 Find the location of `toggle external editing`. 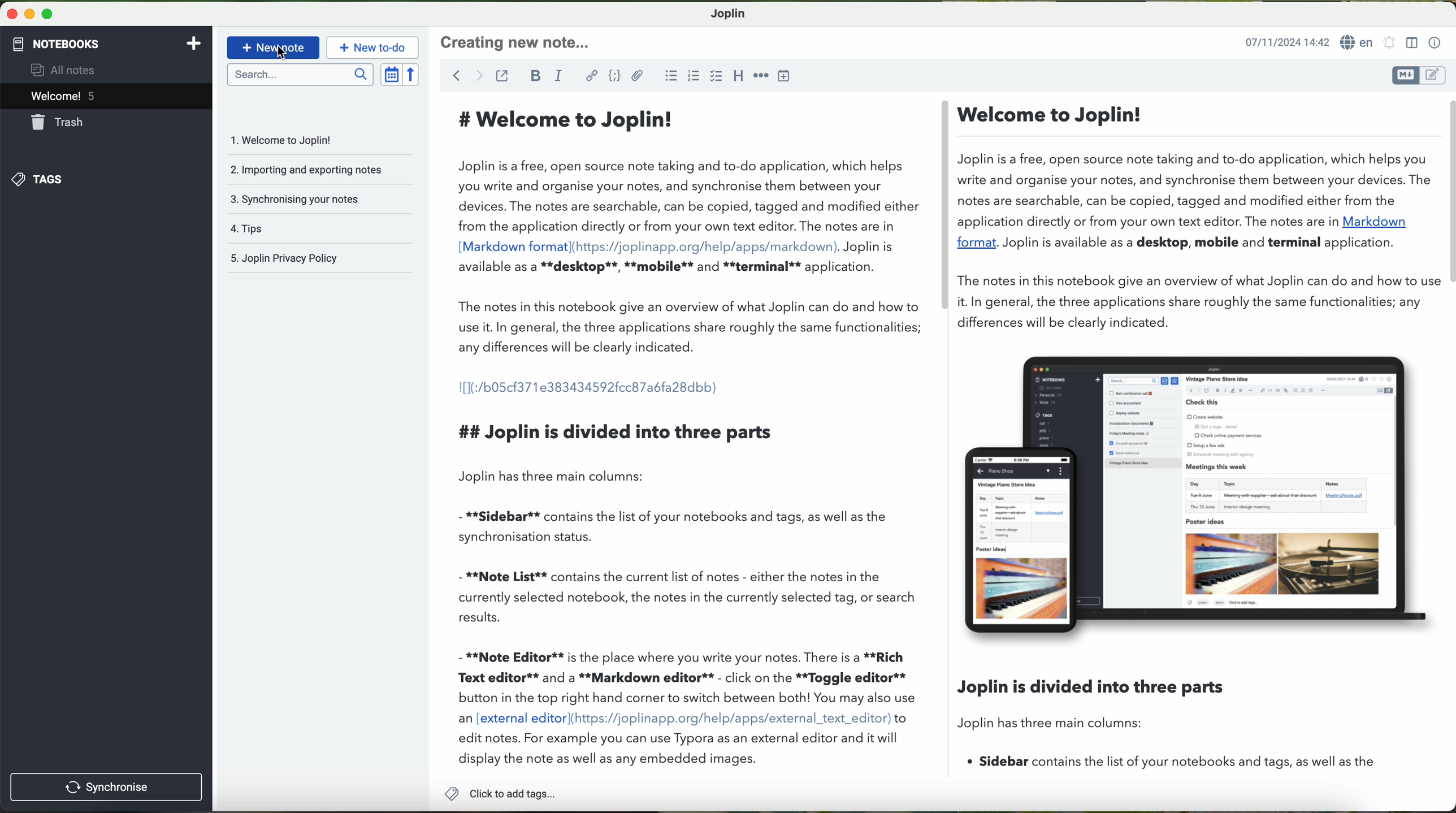

toggle external editing is located at coordinates (503, 76).